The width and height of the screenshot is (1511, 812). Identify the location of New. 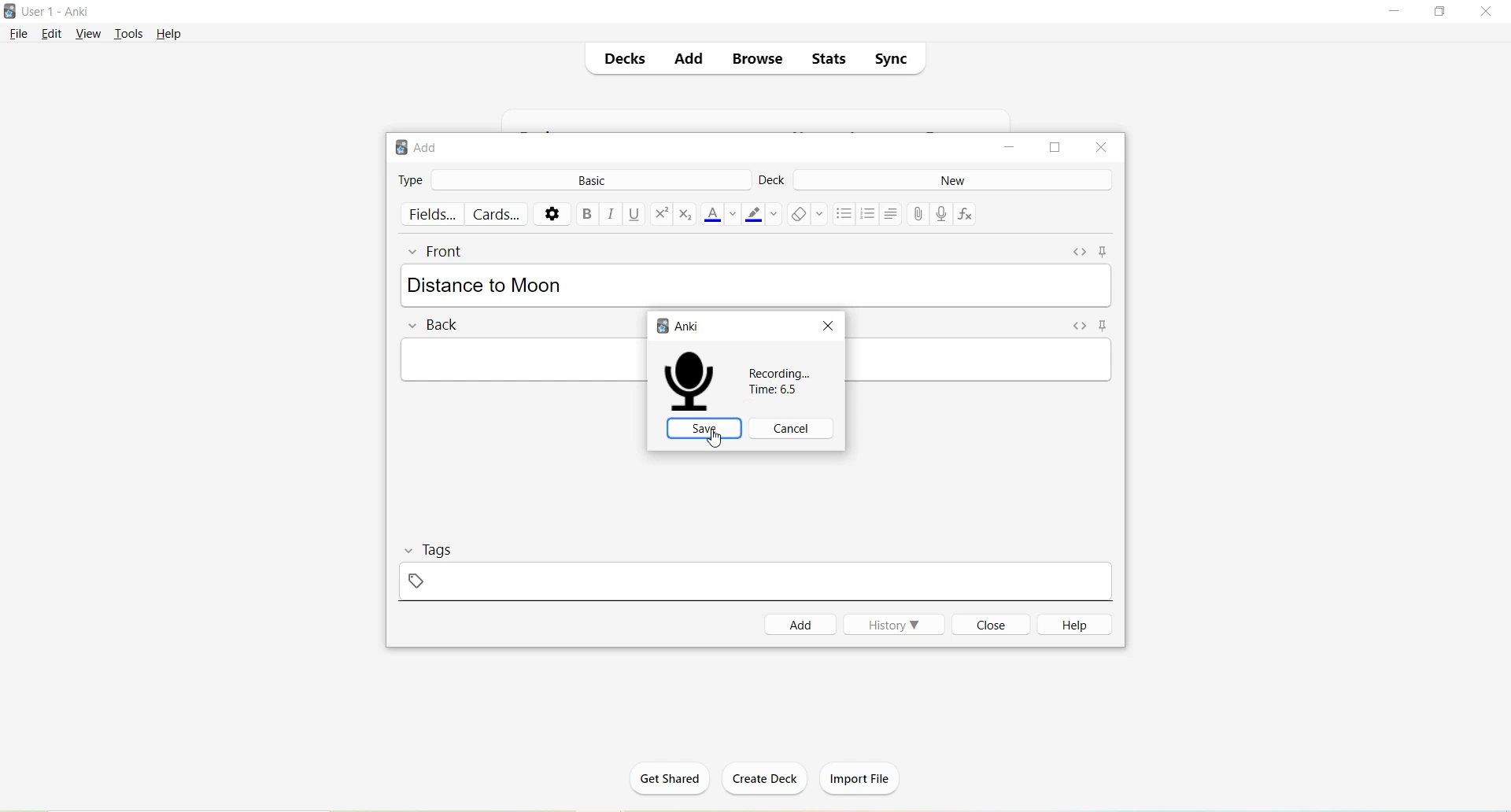
(953, 180).